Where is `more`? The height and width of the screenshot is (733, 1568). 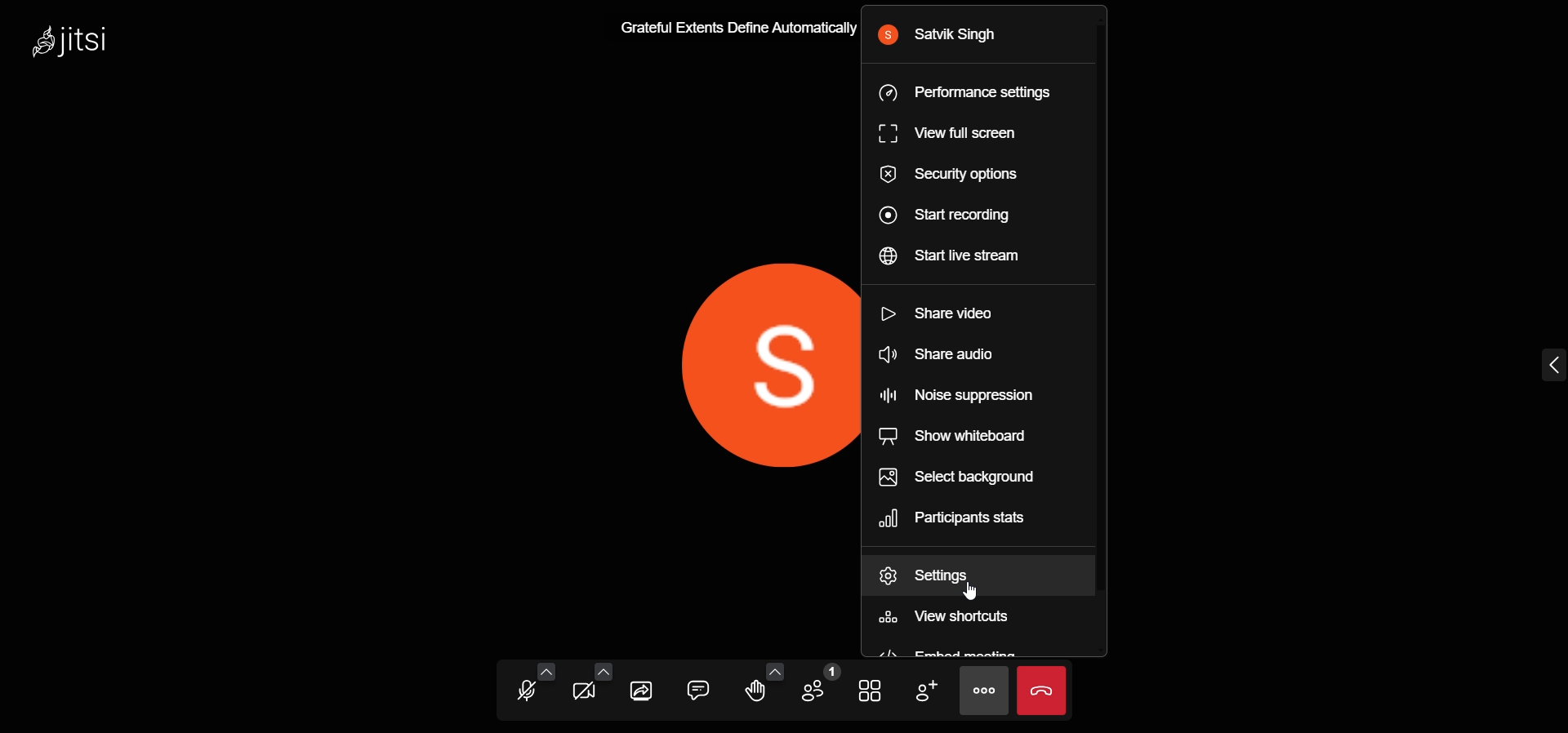
more is located at coordinates (985, 691).